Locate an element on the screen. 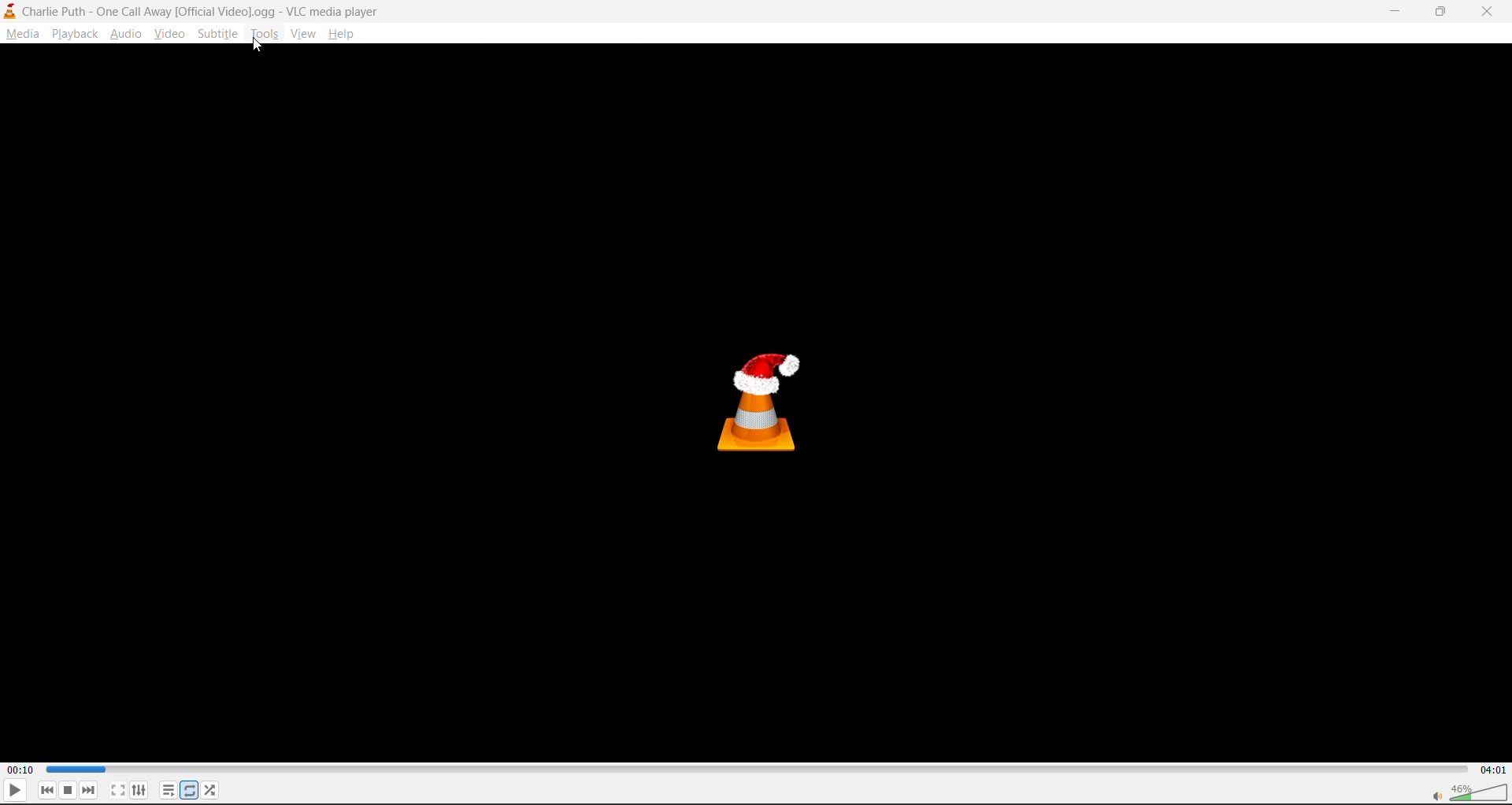 The image size is (1512, 805). next is located at coordinates (88, 792).